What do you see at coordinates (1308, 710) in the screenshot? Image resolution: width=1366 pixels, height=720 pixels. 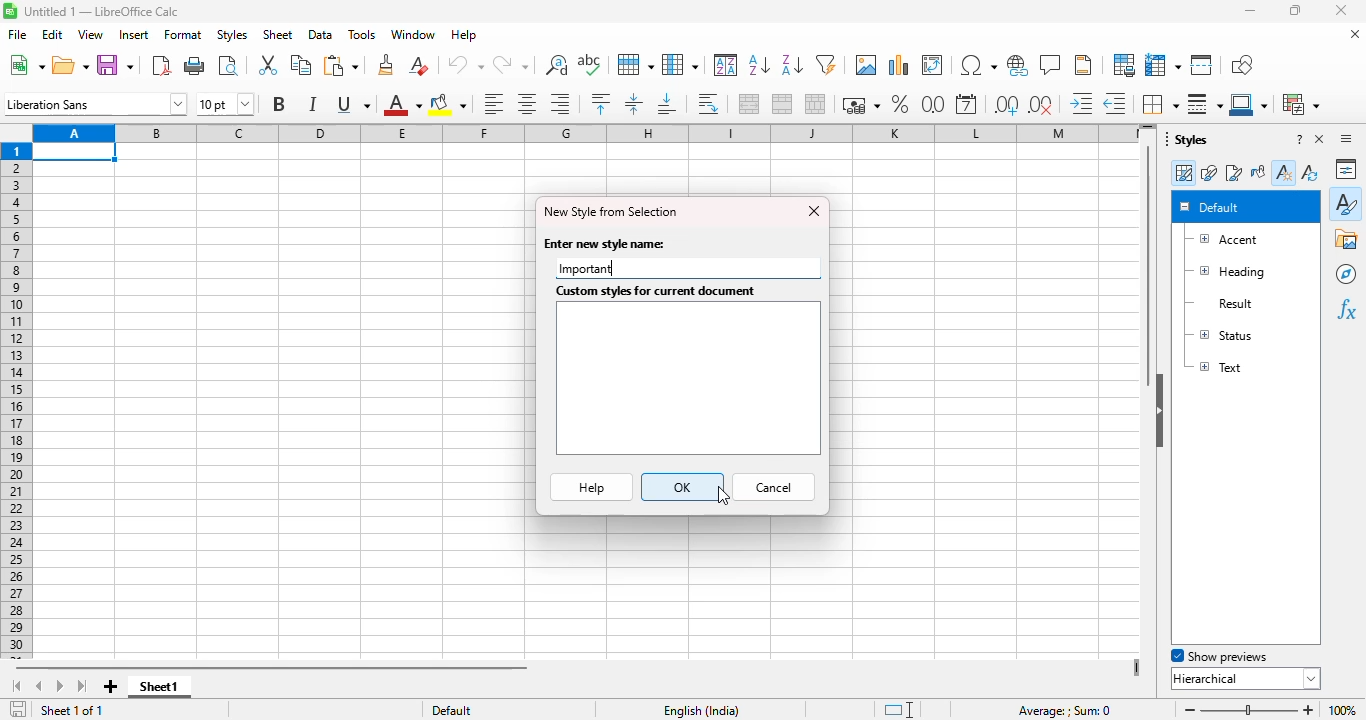 I see `zoom in` at bounding box center [1308, 710].